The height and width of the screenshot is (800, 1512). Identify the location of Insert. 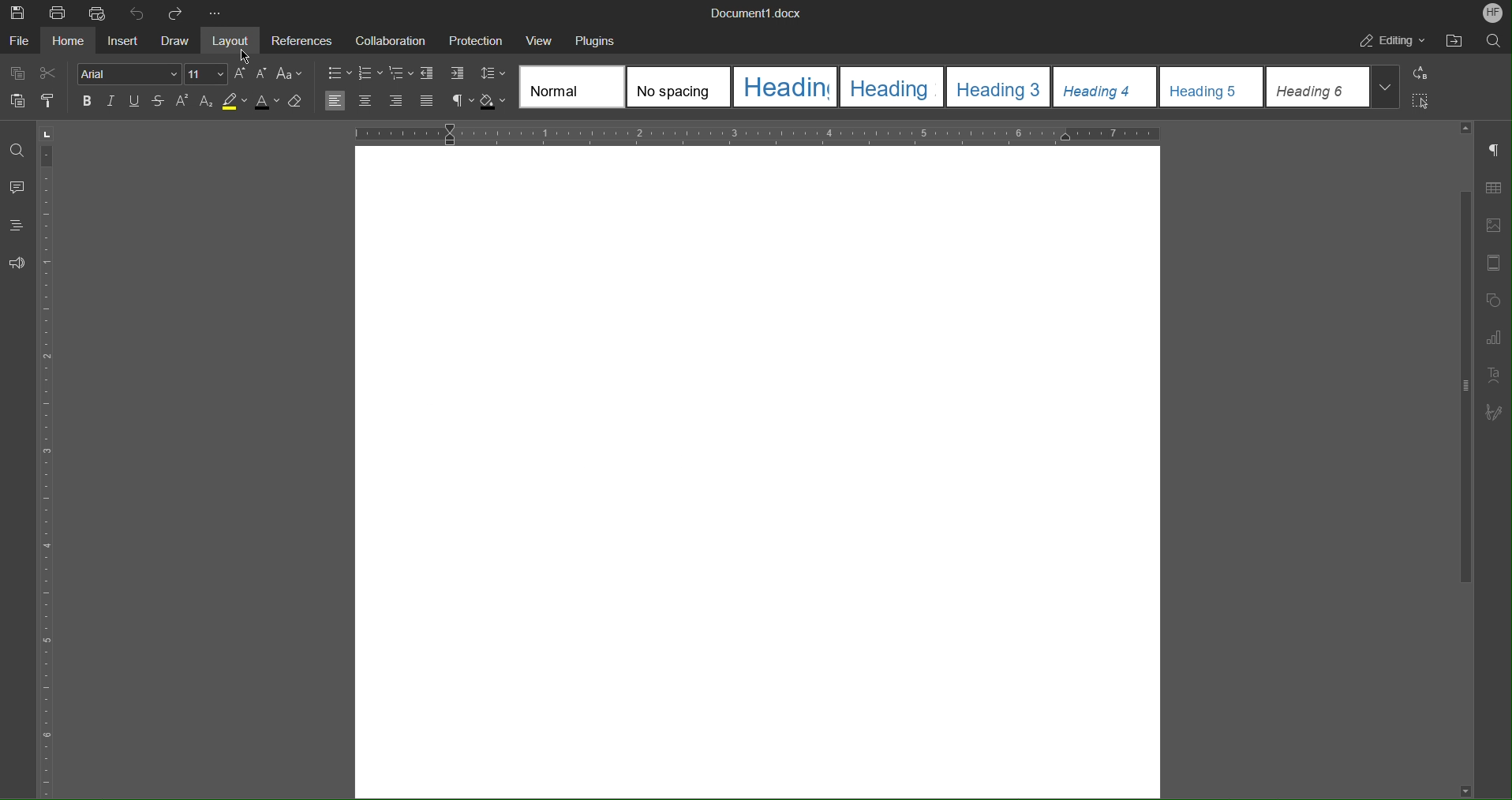
(122, 41).